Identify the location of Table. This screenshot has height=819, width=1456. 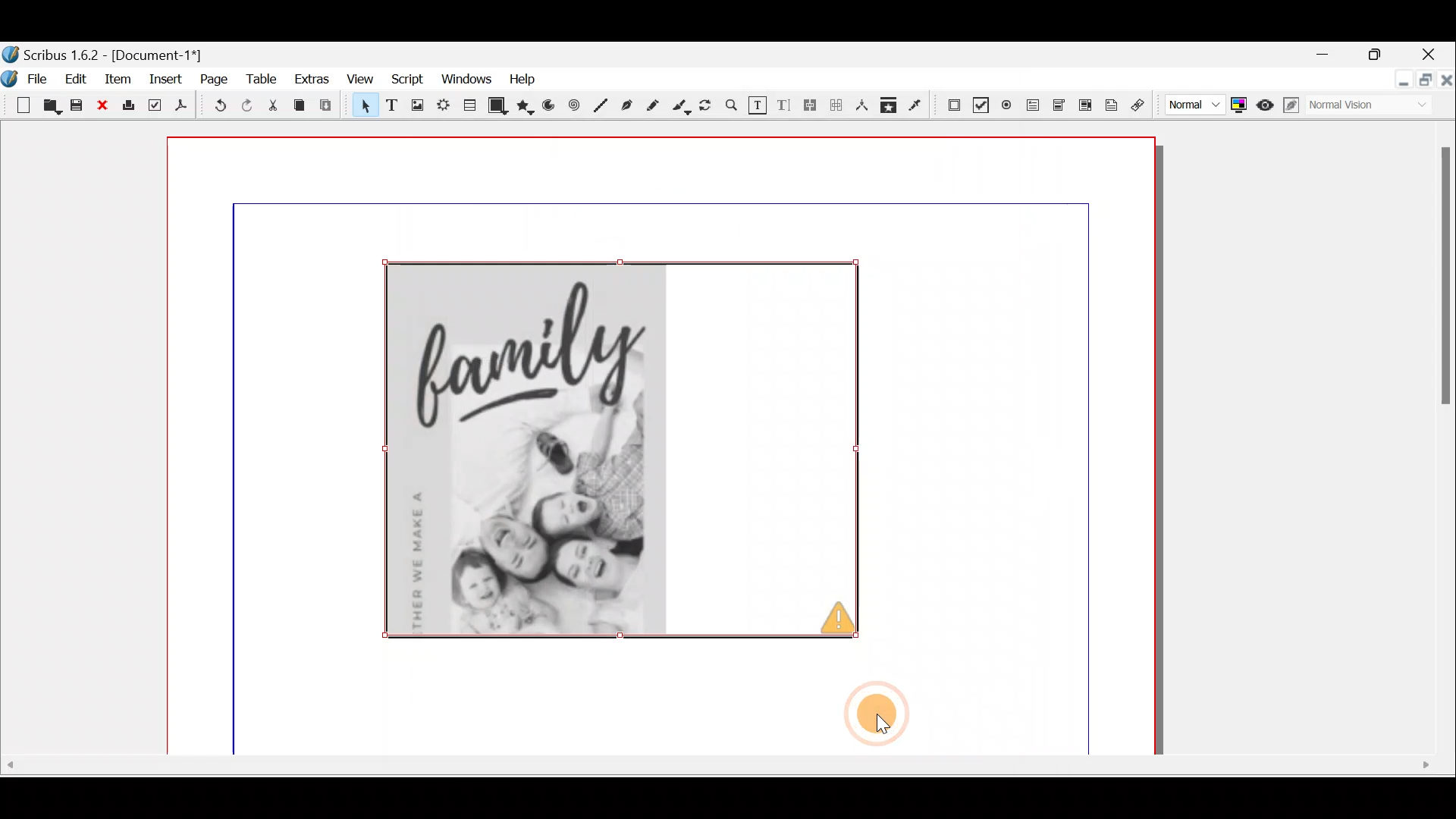
(263, 80).